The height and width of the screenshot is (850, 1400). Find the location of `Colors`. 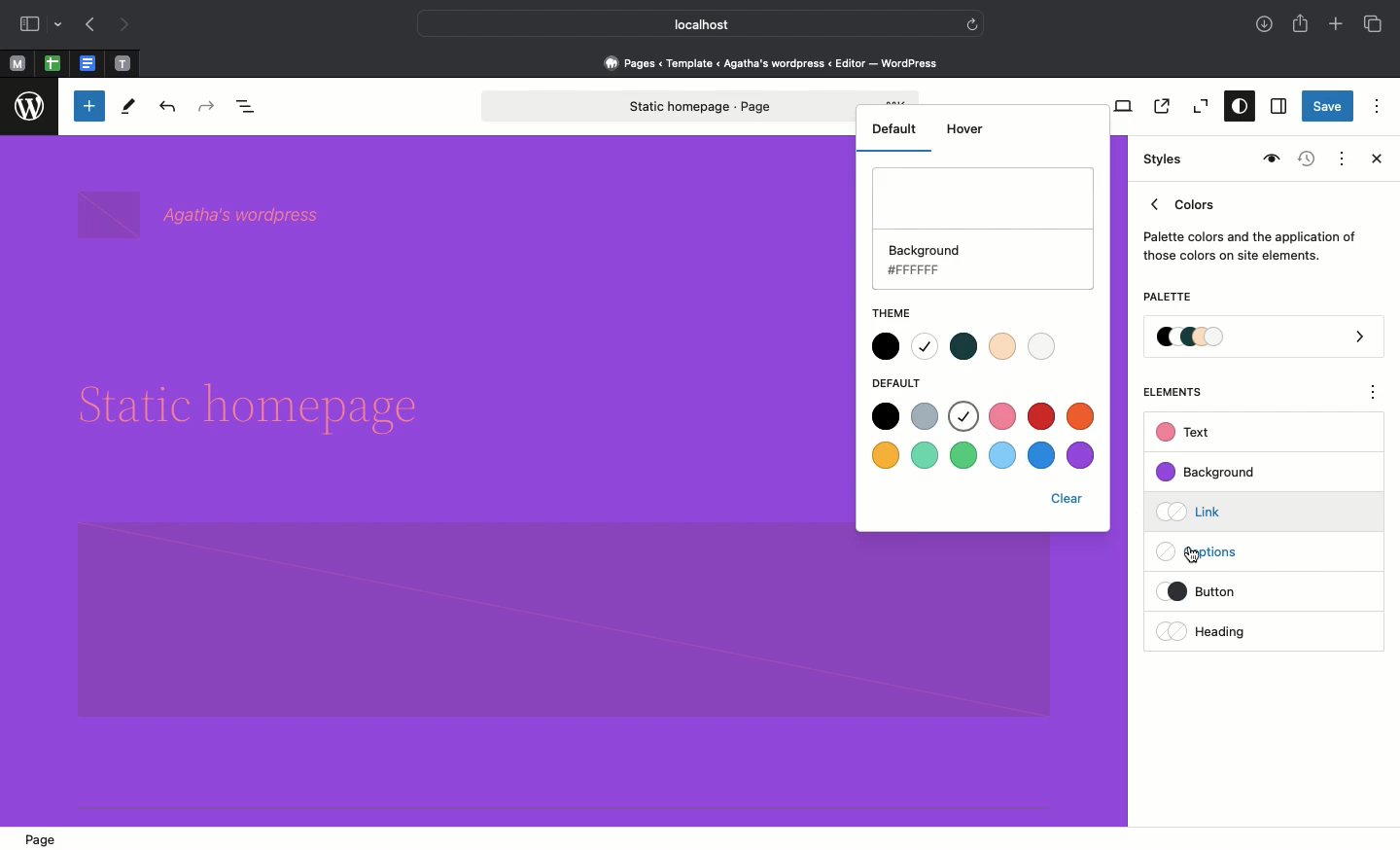

Colors is located at coordinates (1250, 226).